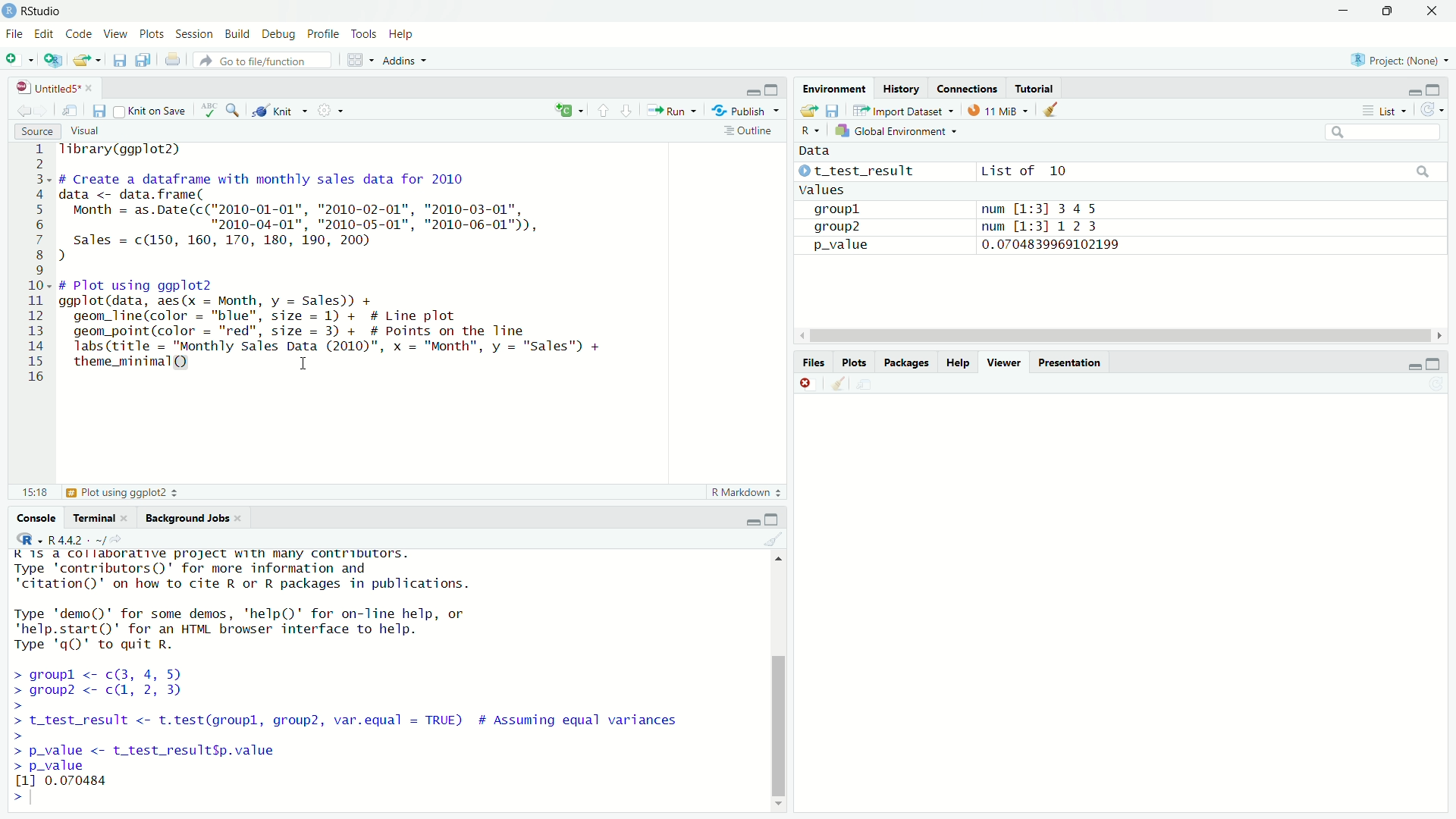 The height and width of the screenshot is (819, 1456). What do you see at coordinates (908, 361) in the screenshot?
I see `Packages` at bounding box center [908, 361].